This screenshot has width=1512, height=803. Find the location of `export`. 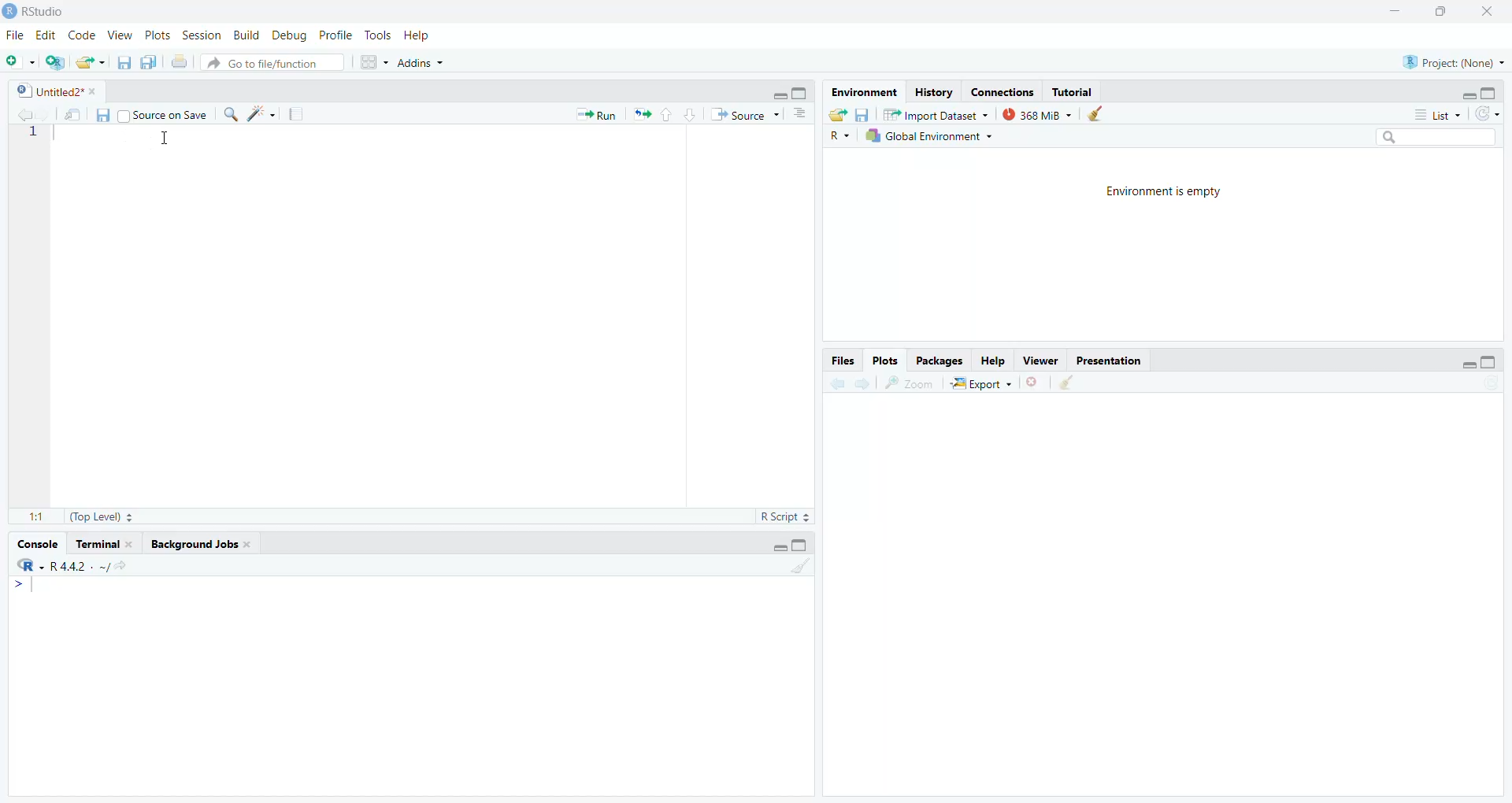

export is located at coordinates (90, 63).